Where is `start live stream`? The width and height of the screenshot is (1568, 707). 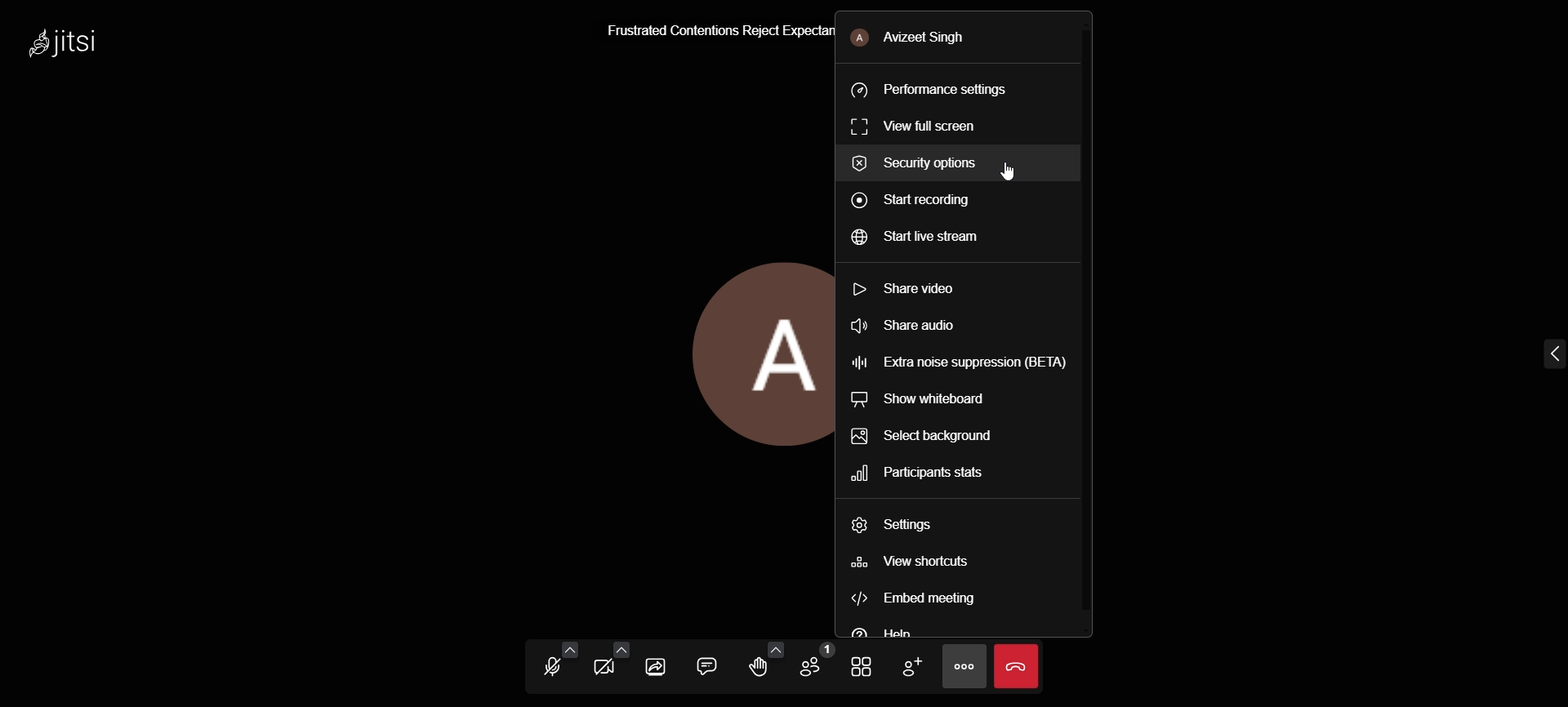 start live stream is located at coordinates (939, 241).